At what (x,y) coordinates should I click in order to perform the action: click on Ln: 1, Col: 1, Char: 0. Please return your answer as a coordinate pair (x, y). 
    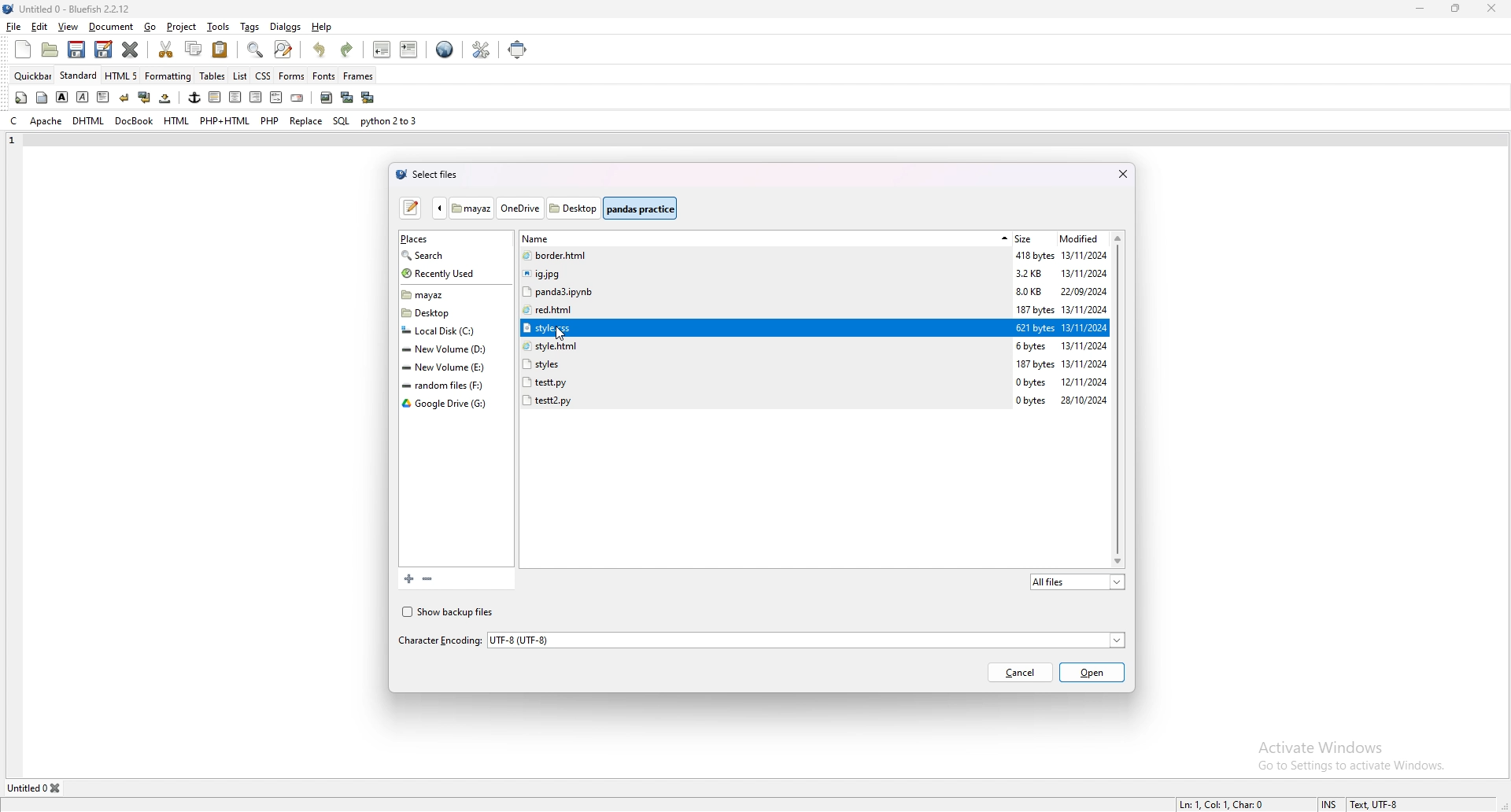
    Looking at the image, I should click on (1225, 804).